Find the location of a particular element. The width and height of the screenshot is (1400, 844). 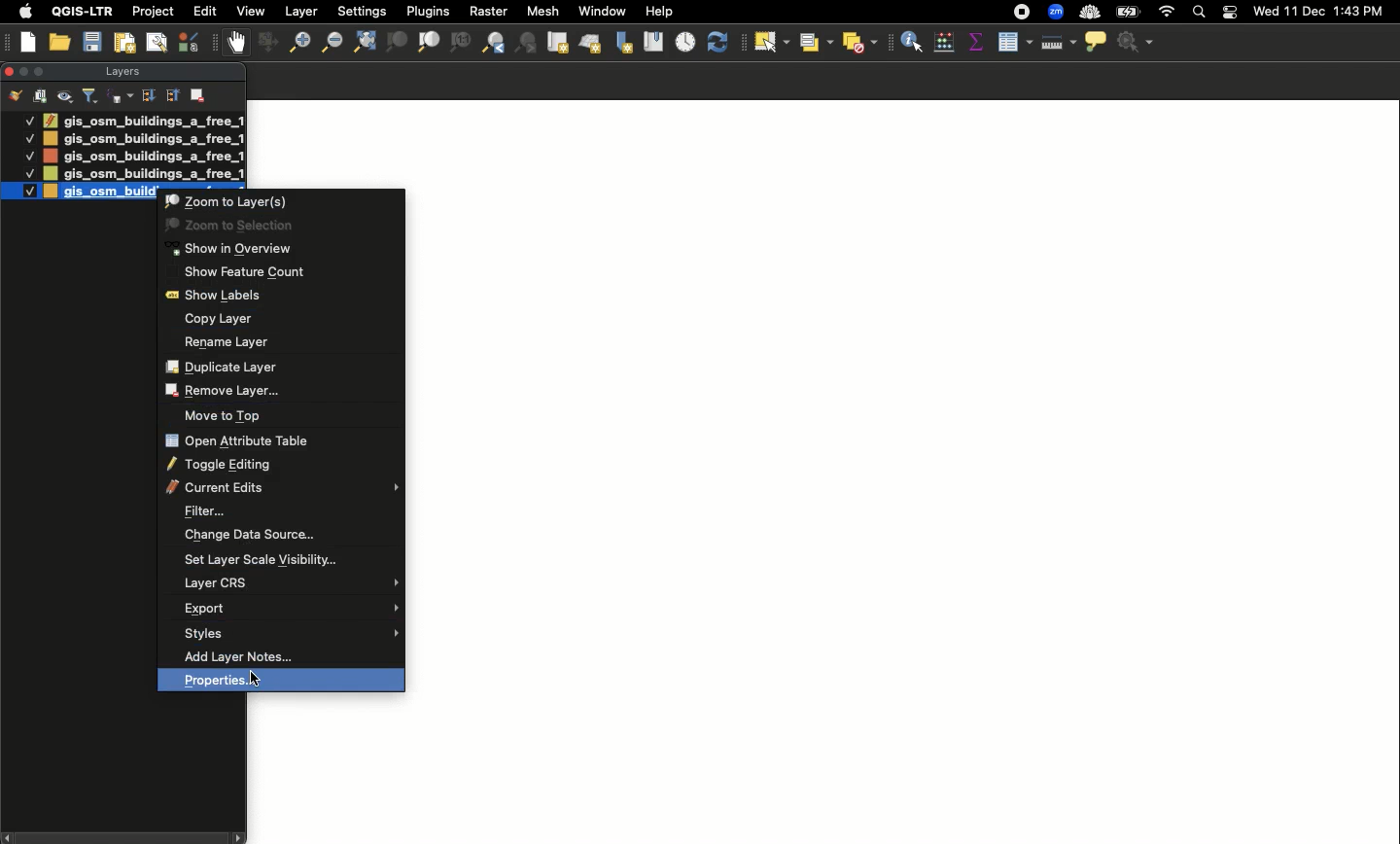

wed is located at coordinates (1264, 13).